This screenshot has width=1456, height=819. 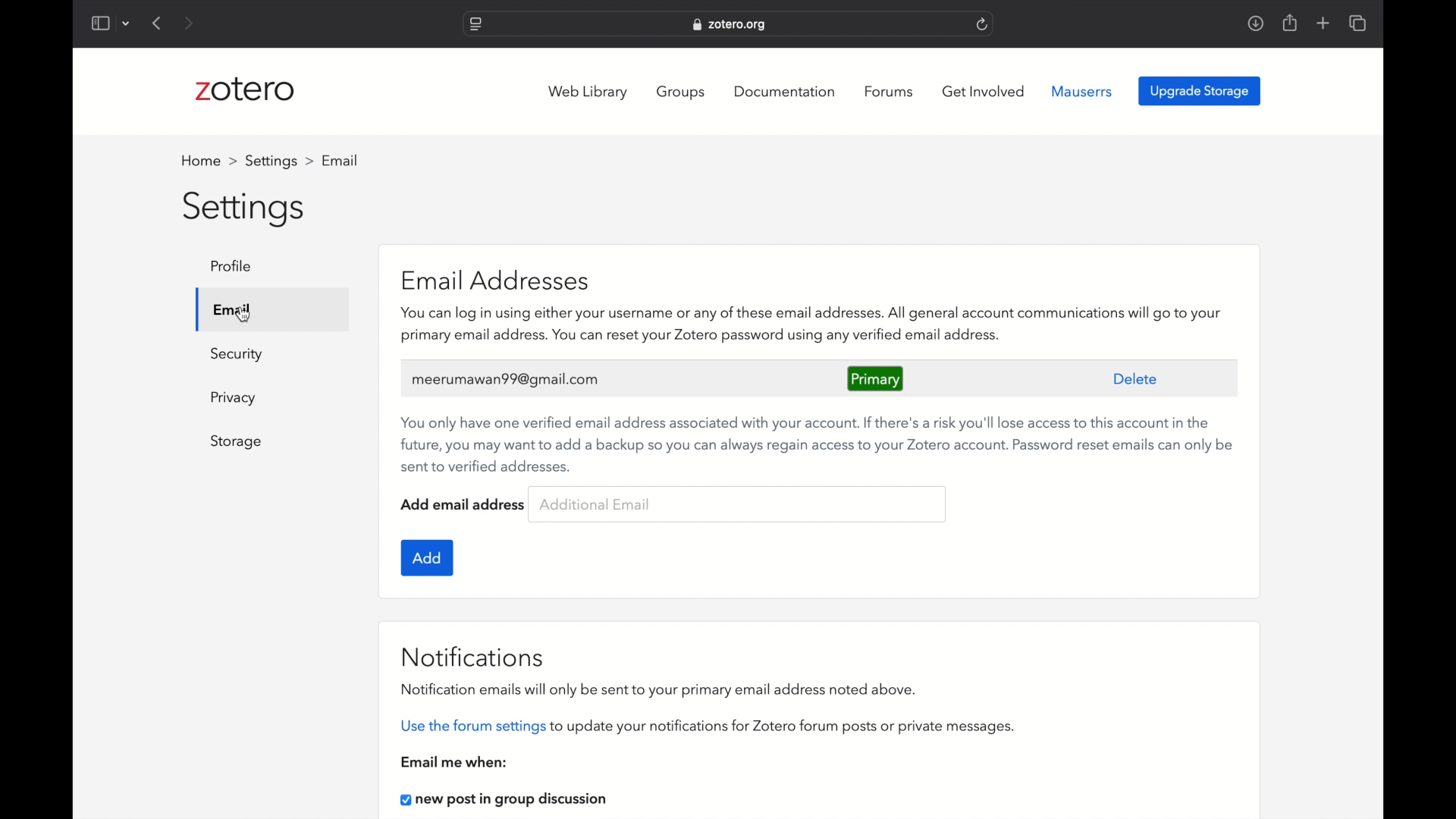 What do you see at coordinates (190, 23) in the screenshot?
I see `next` at bounding box center [190, 23].